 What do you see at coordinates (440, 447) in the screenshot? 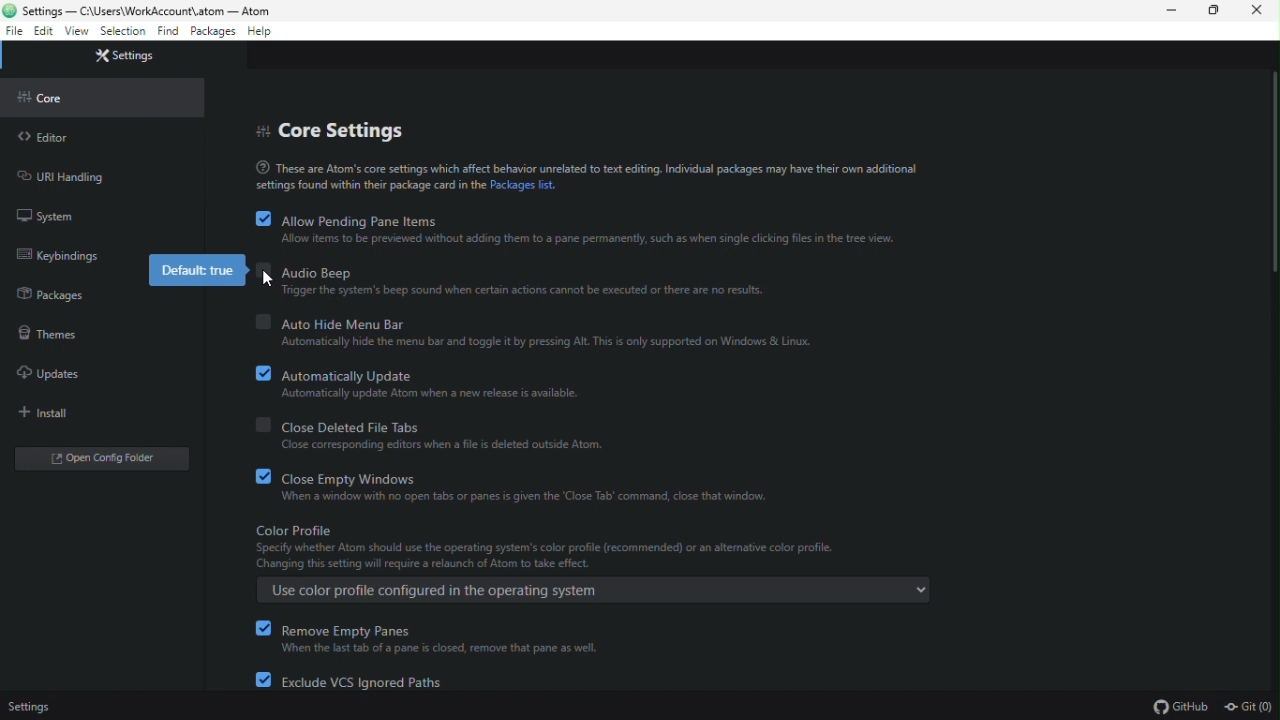
I see `Close corresponding editors when a file is deleted outside atom` at bounding box center [440, 447].